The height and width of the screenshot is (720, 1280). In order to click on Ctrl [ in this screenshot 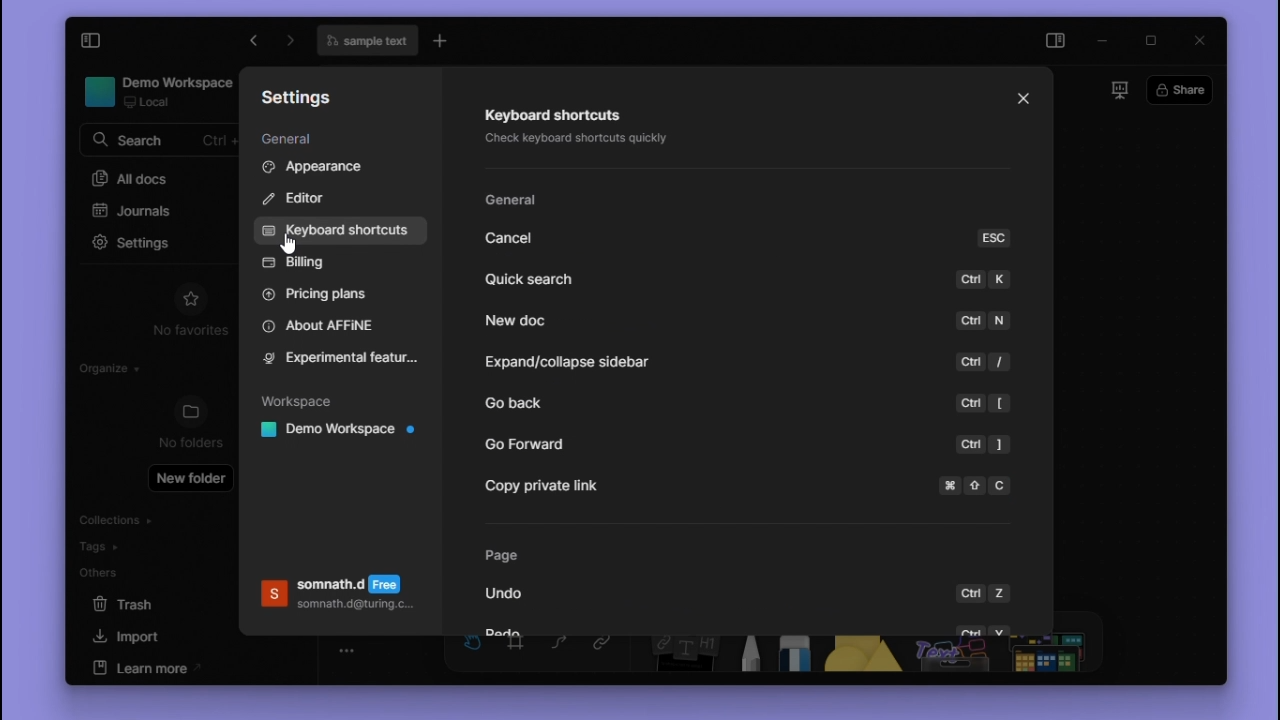, I will do `click(983, 405)`.